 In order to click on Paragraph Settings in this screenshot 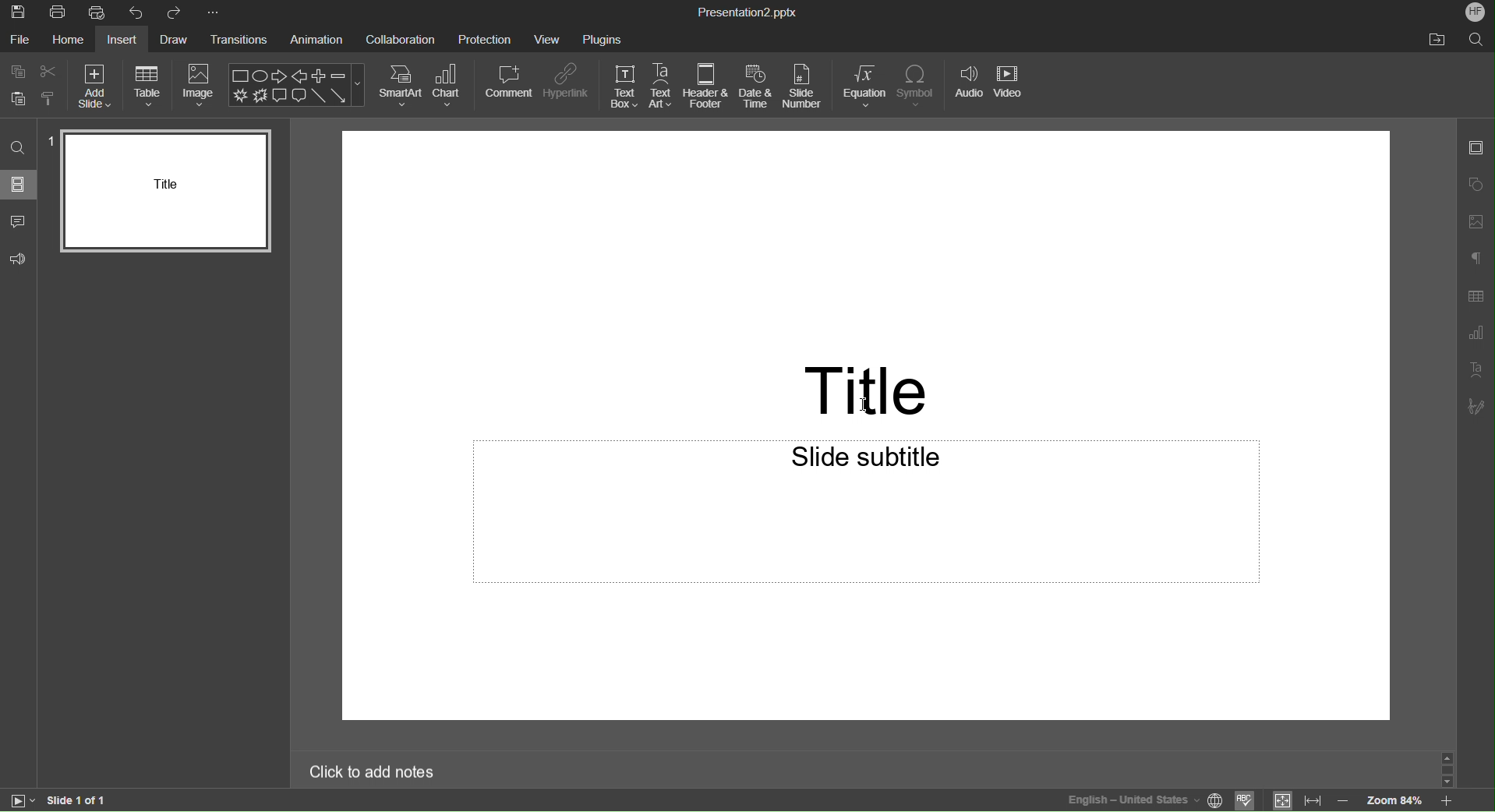, I will do `click(1476, 259)`.